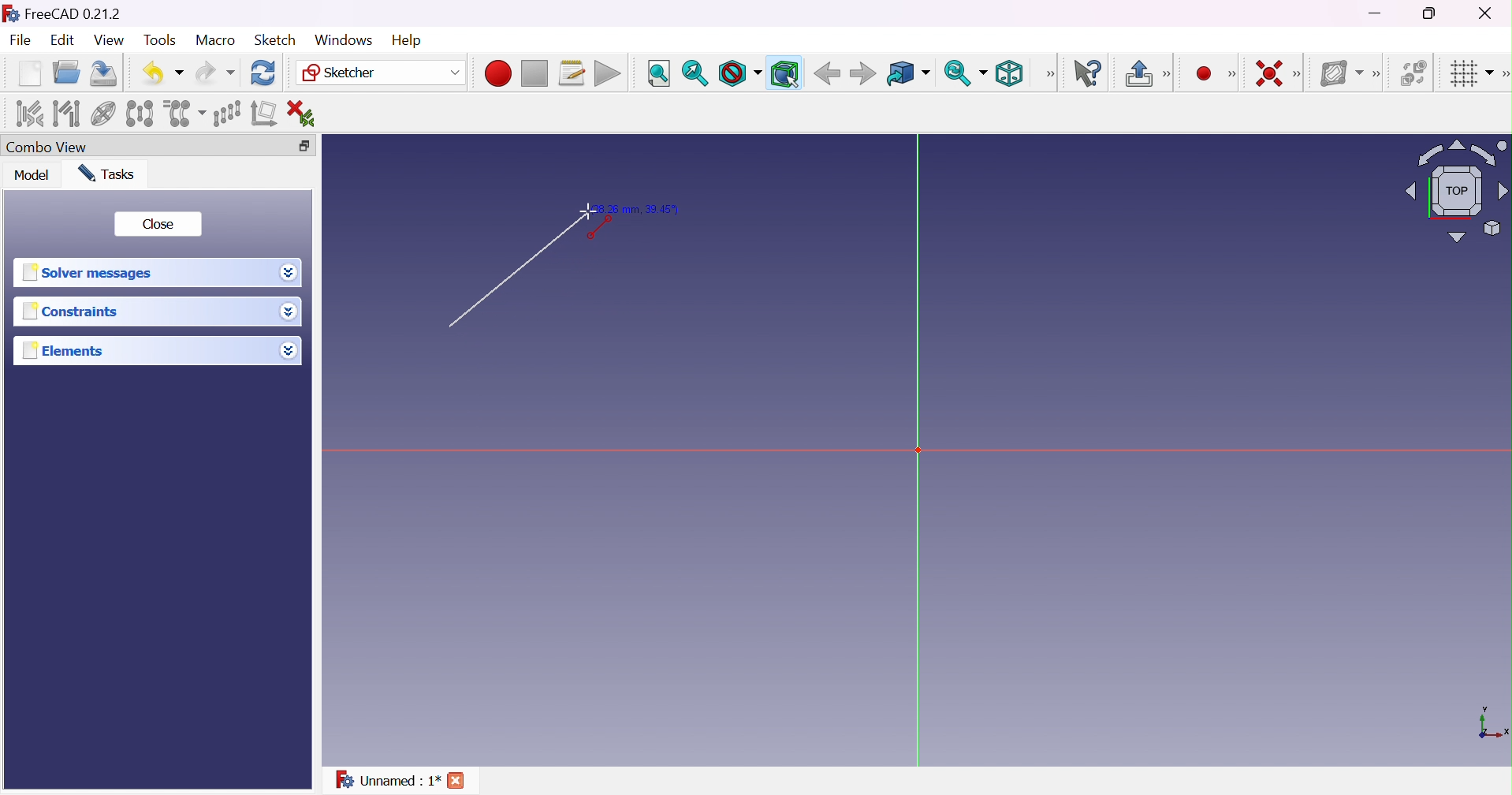 This screenshot has width=1512, height=795. What do you see at coordinates (608, 73) in the screenshot?
I see `Execute macro` at bounding box center [608, 73].